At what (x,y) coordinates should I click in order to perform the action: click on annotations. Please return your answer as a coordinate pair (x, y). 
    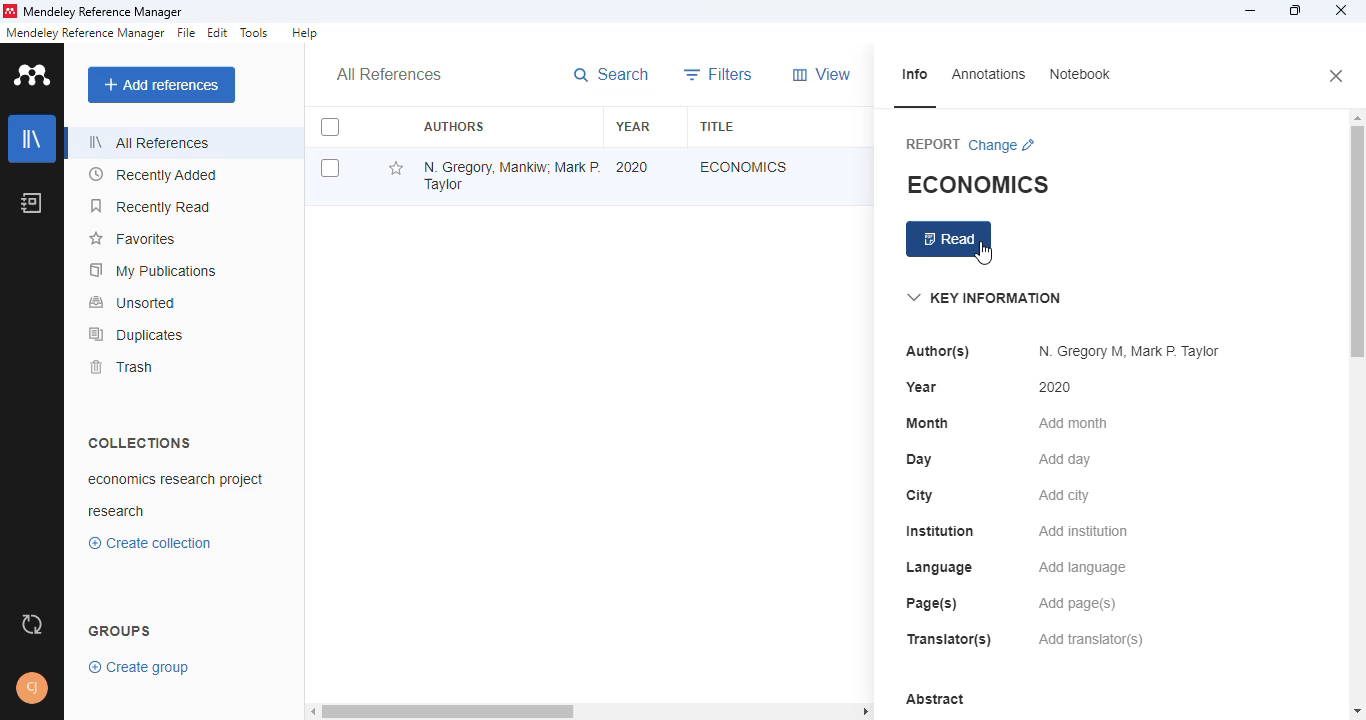
    Looking at the image, I should click on (987, 74).